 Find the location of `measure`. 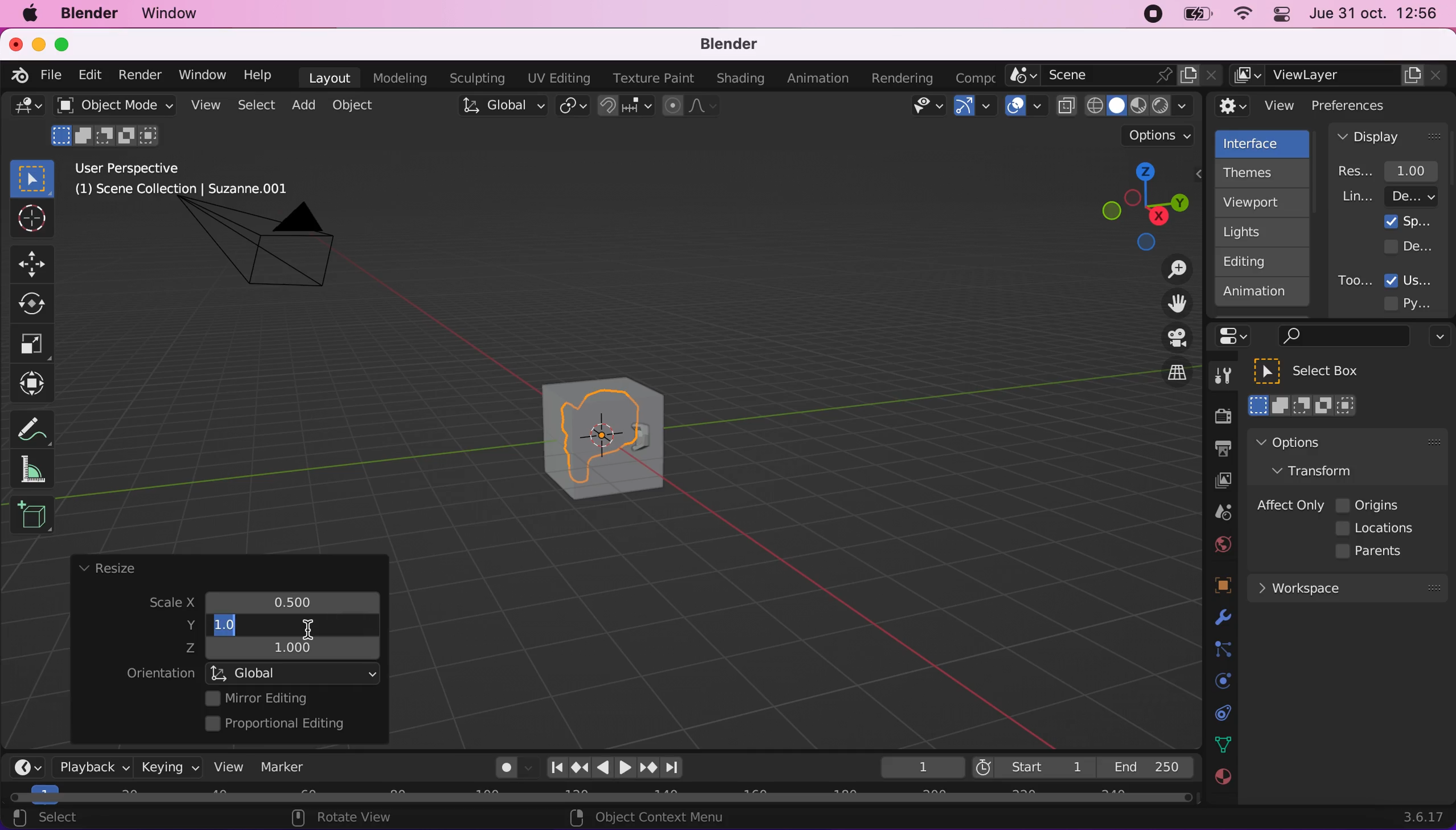

measure is located at coordinates (40, 469).